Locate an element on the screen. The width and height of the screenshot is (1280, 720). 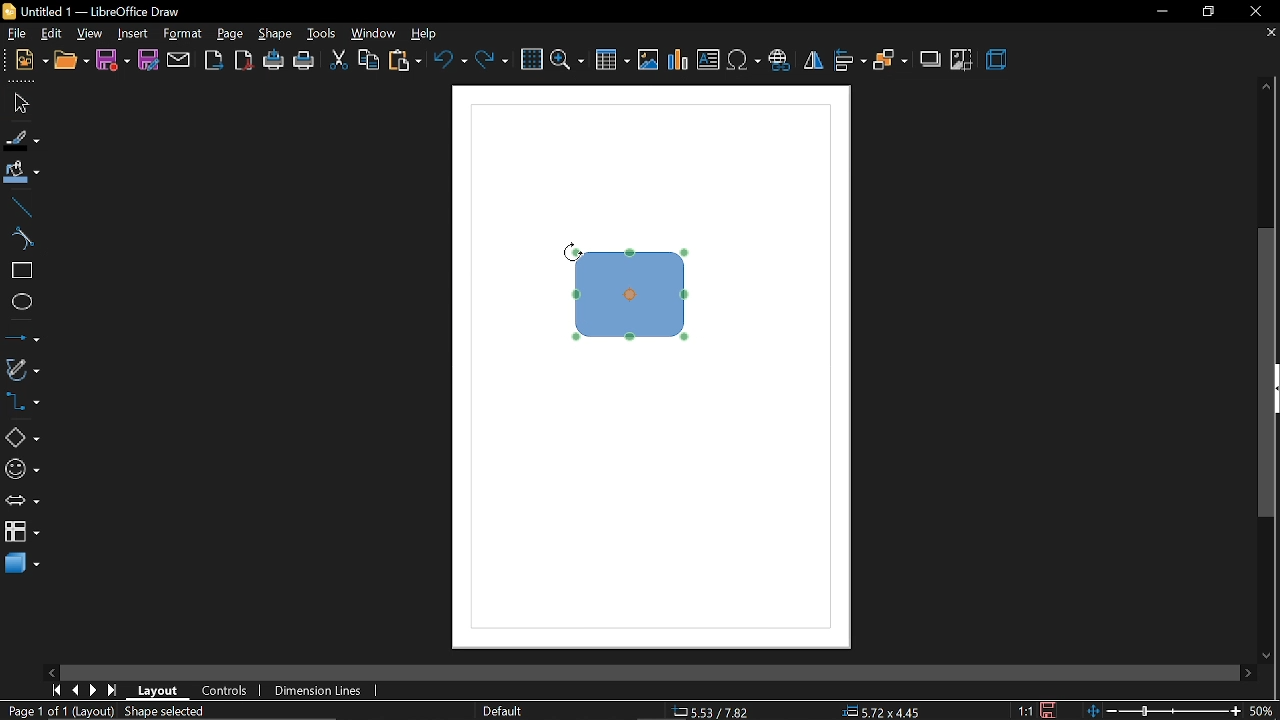
move left is located at coordinates (53, 673).